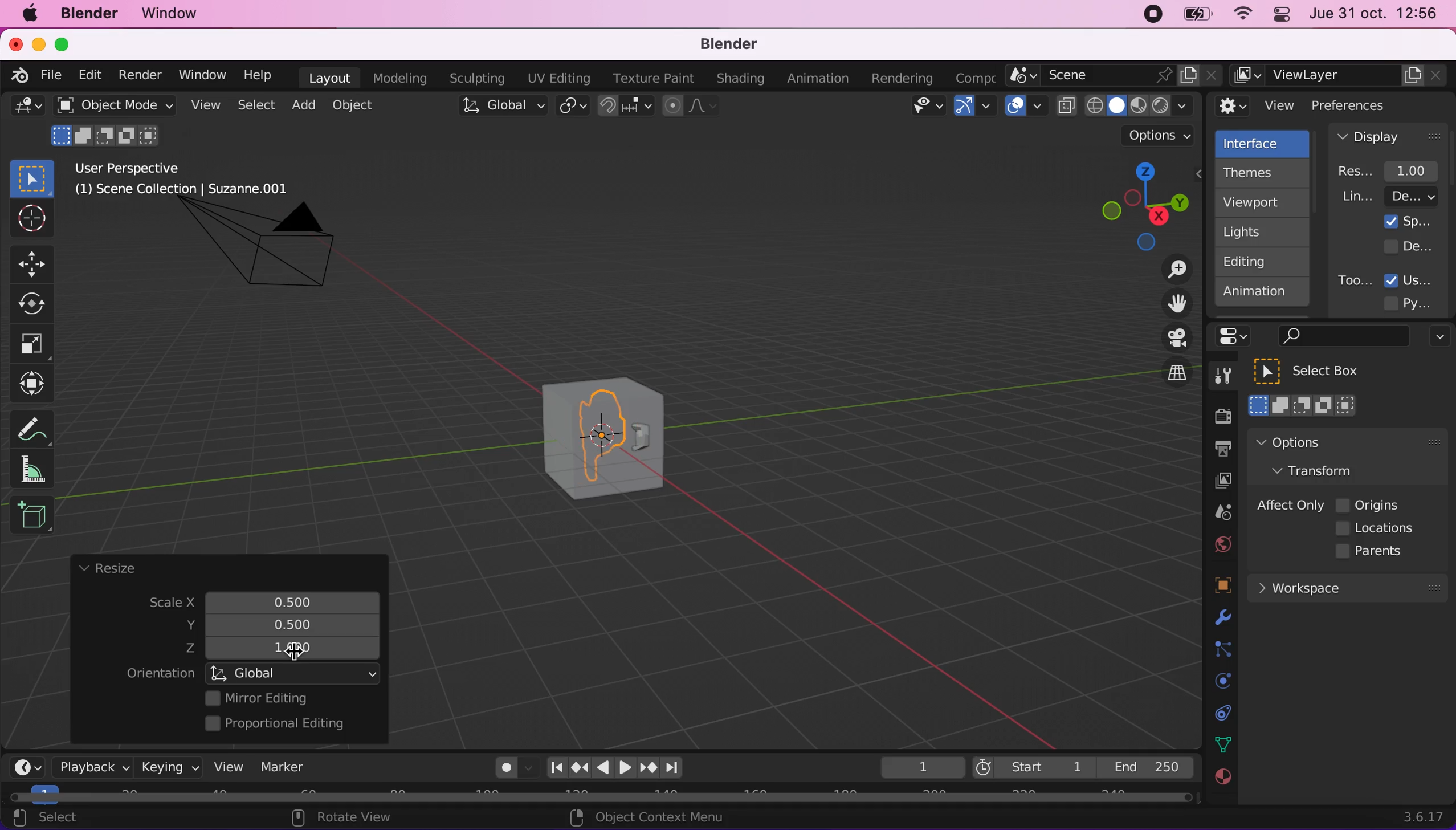 The width and height of the screenshot is (1456, 830). What do you see at coordinates (1220, 619) in the screenshot?
I see `physics` at bounding box center [1220, 619].